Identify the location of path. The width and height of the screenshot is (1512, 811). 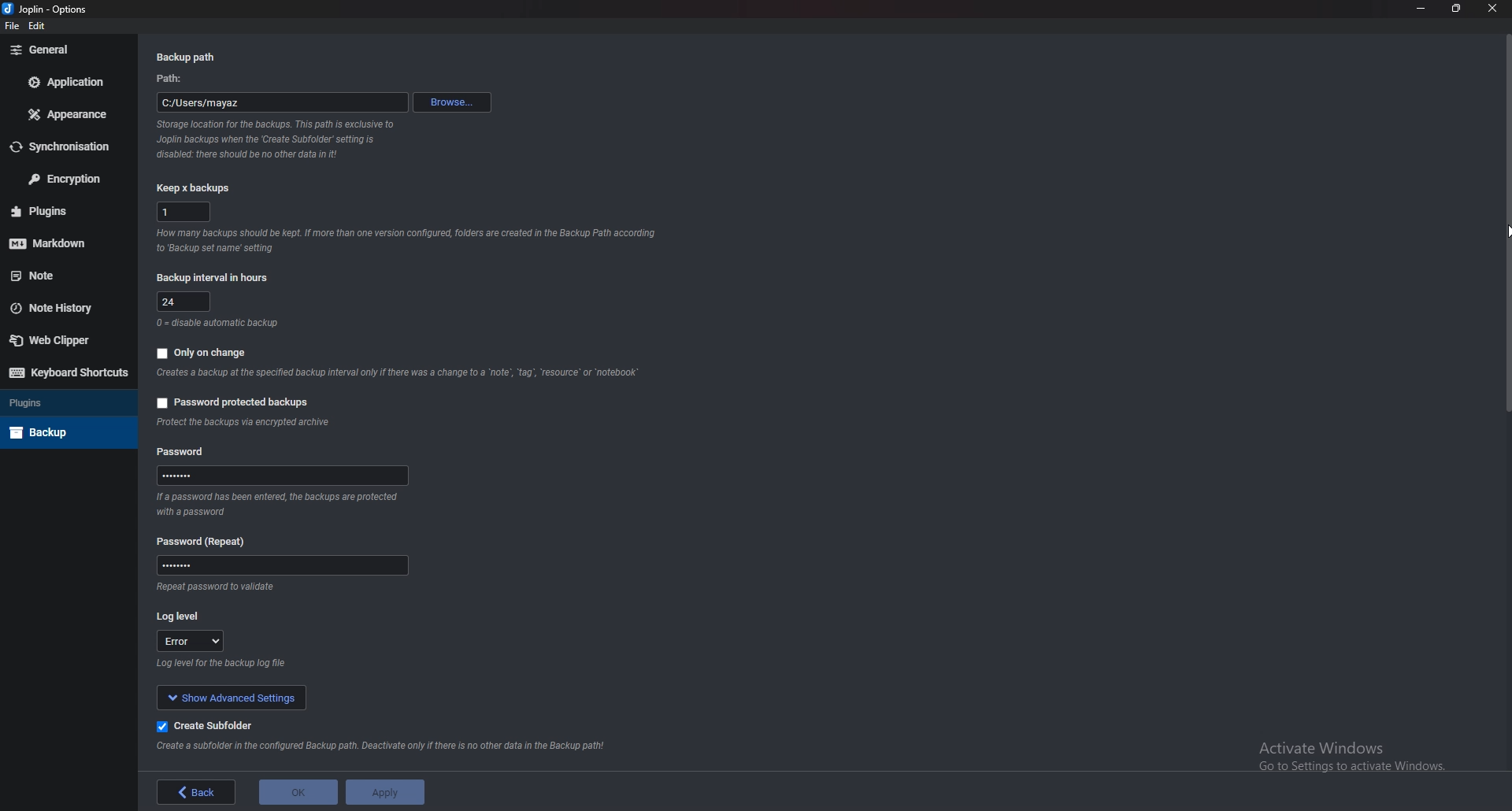
(283, 102).